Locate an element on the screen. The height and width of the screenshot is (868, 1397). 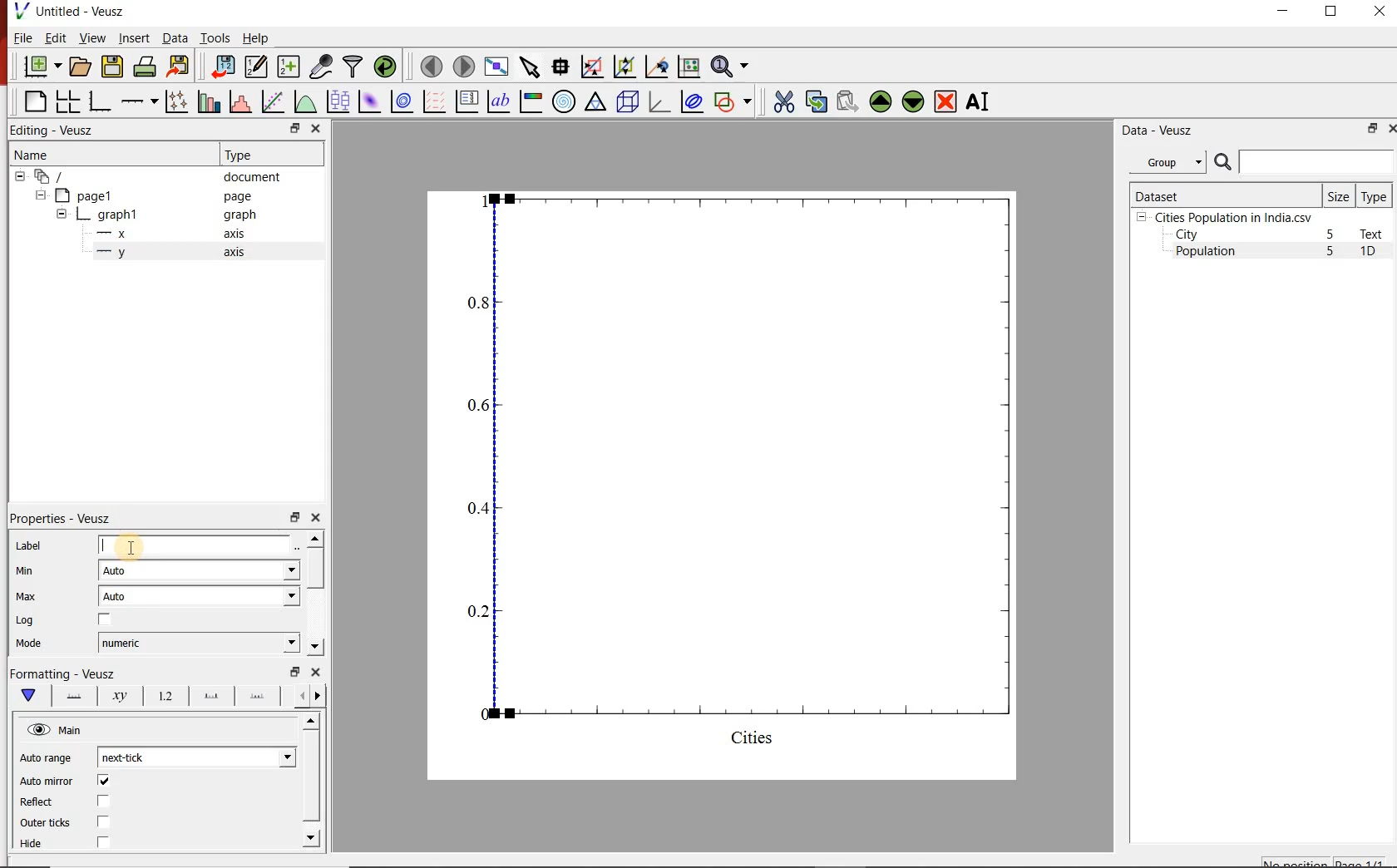
histogram of a dataset is located at coordinates (238, 101).